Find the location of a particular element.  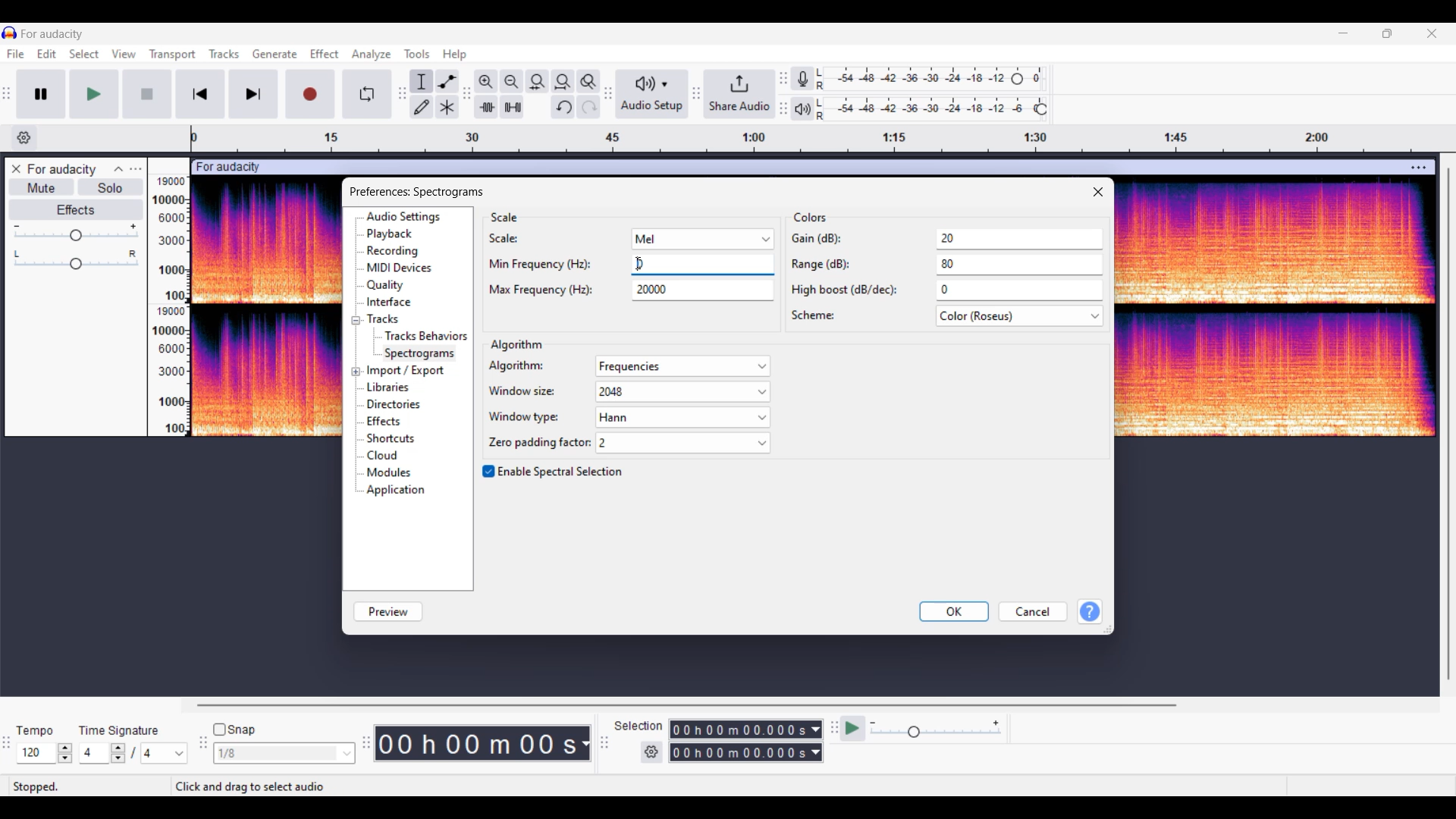

spectrogram is located at coordinates (422, 353).